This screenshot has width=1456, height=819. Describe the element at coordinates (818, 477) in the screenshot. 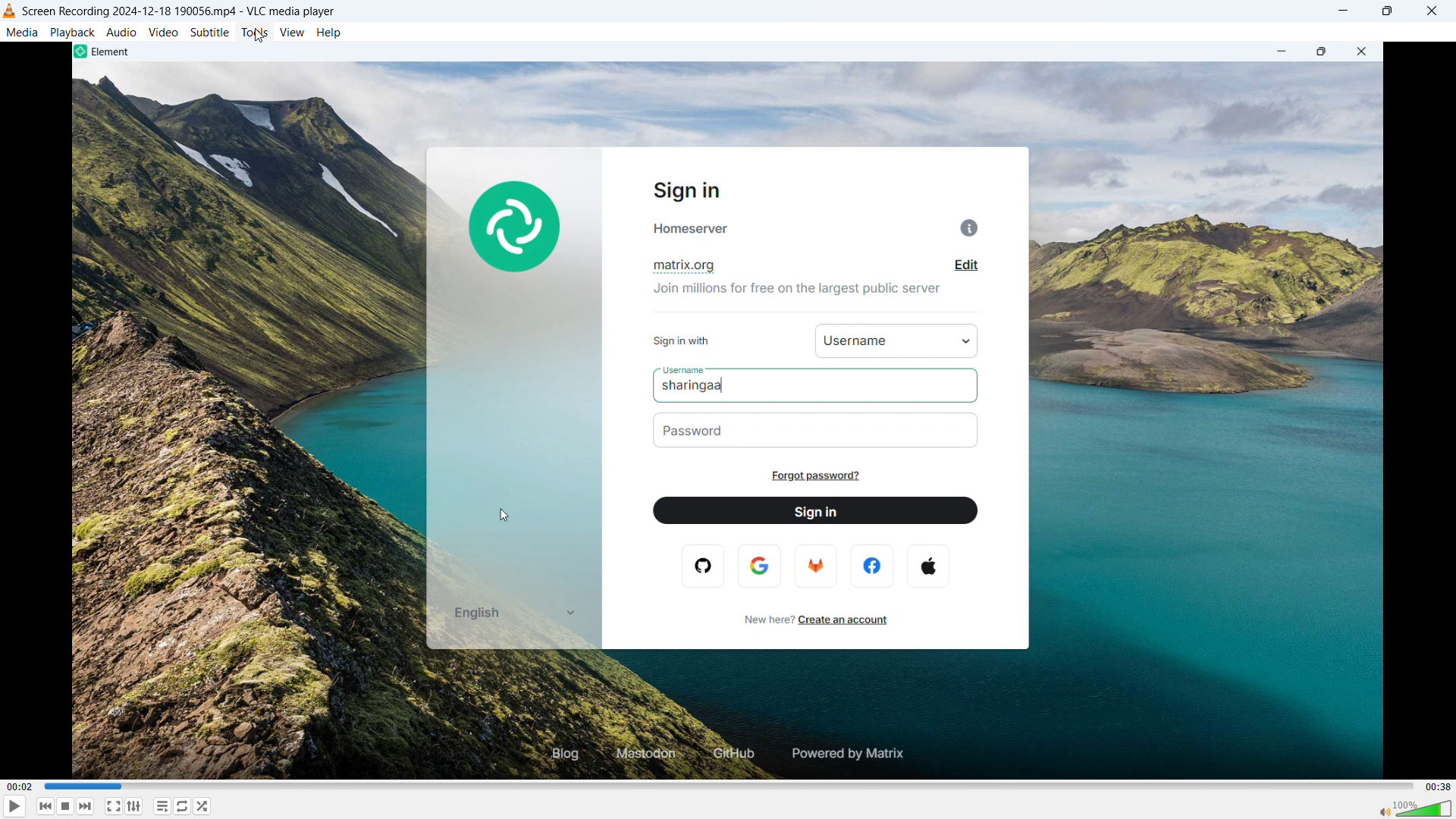

I see `forgot password?` at that location.